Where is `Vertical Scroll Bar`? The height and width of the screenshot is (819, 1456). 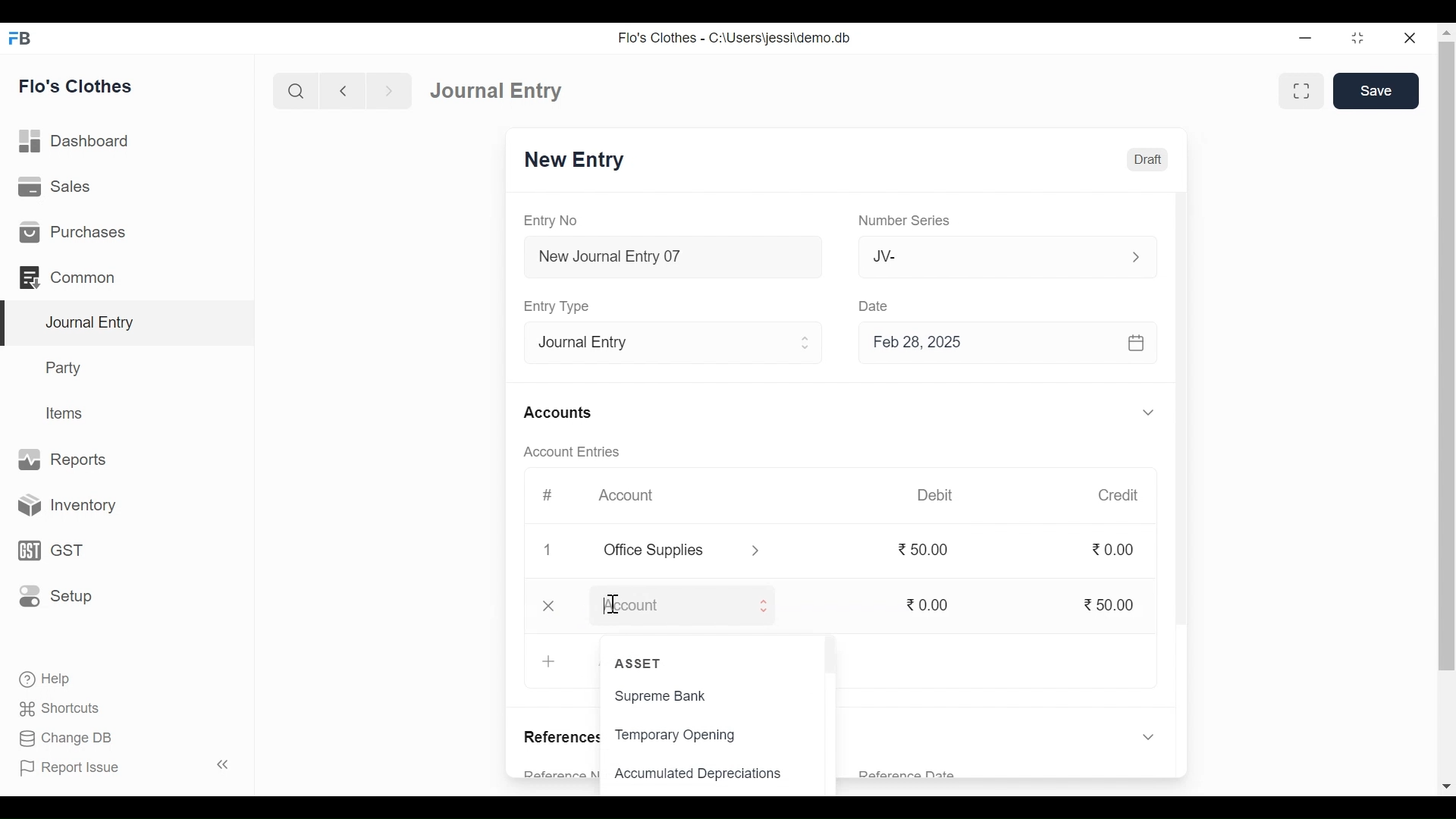 Vertical Scroll Bar is located at coordinates (1447, 358).